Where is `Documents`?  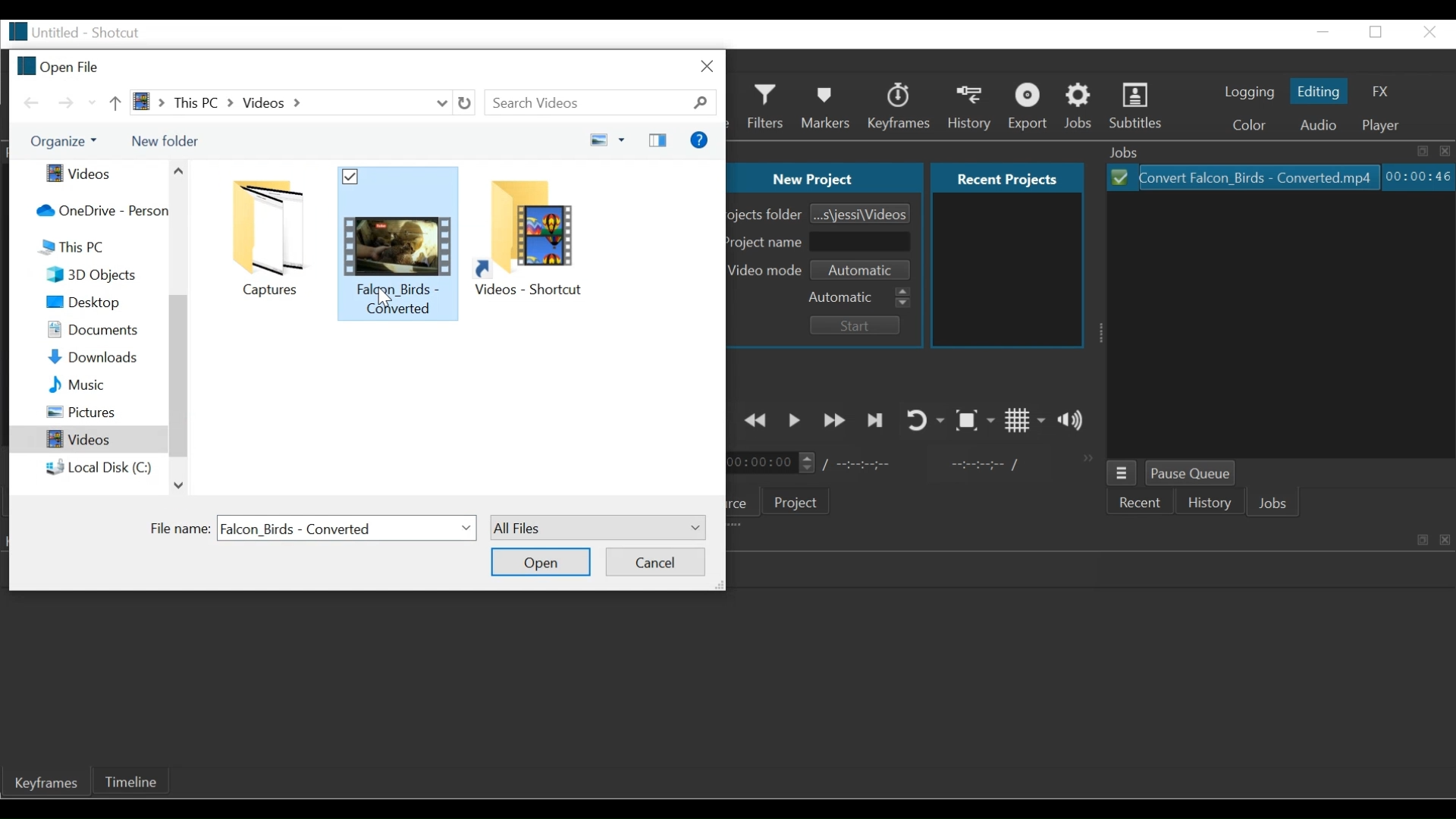 Documents is located at coordinates (101, 329).